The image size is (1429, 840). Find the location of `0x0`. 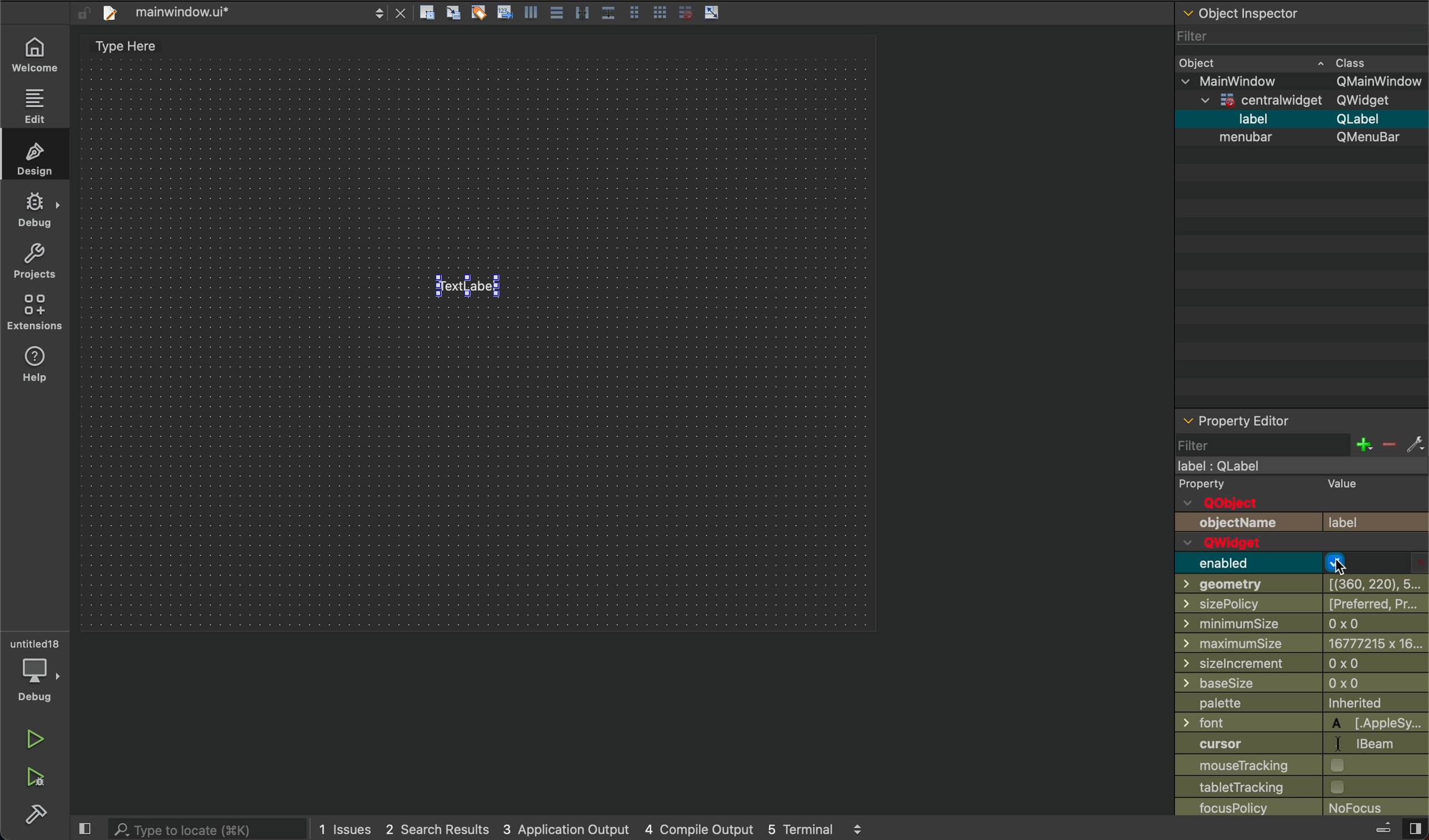

0x0 is located at coordinates (1360, 663).